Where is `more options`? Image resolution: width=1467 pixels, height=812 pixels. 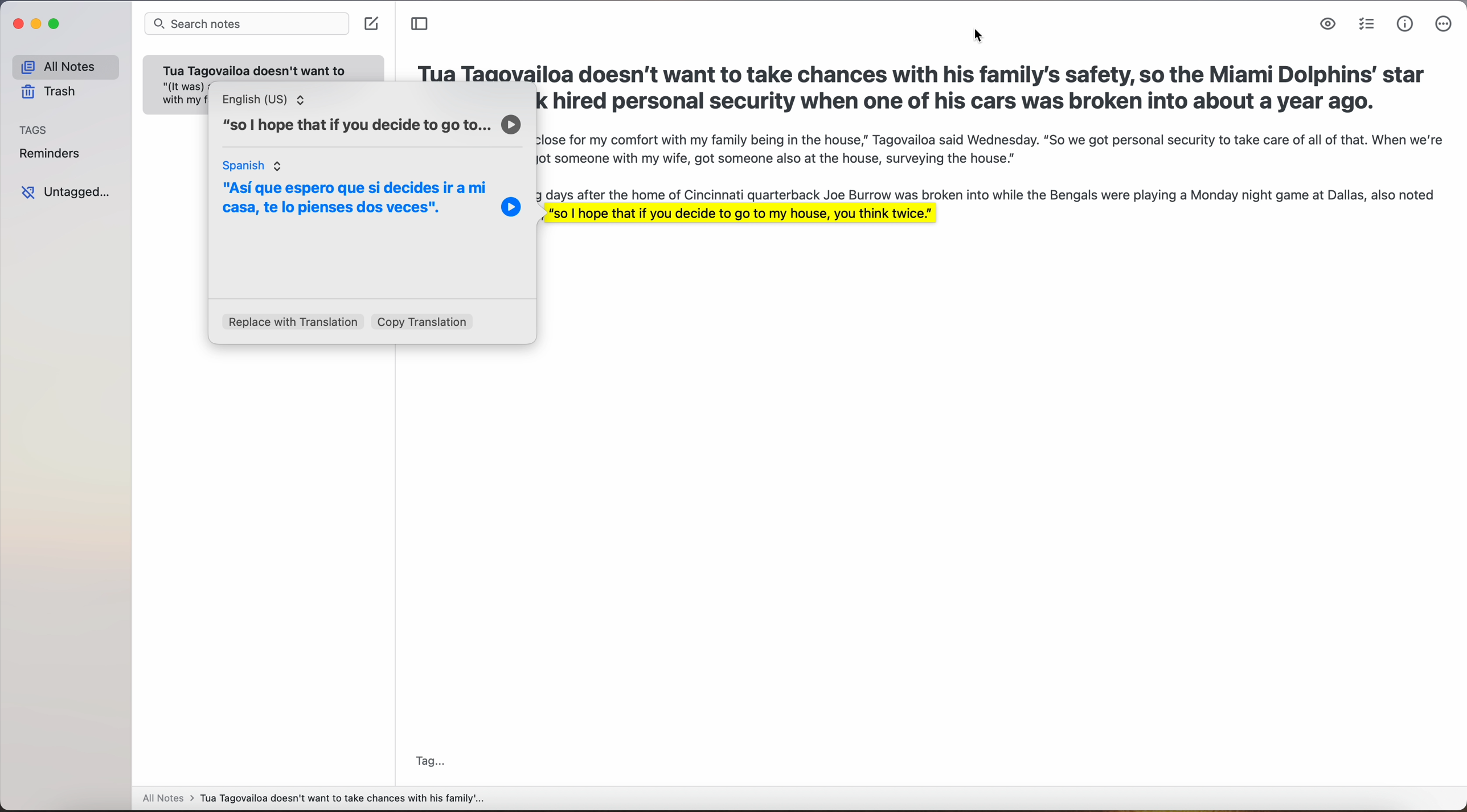 more options is located at coordinates (1443, 24).